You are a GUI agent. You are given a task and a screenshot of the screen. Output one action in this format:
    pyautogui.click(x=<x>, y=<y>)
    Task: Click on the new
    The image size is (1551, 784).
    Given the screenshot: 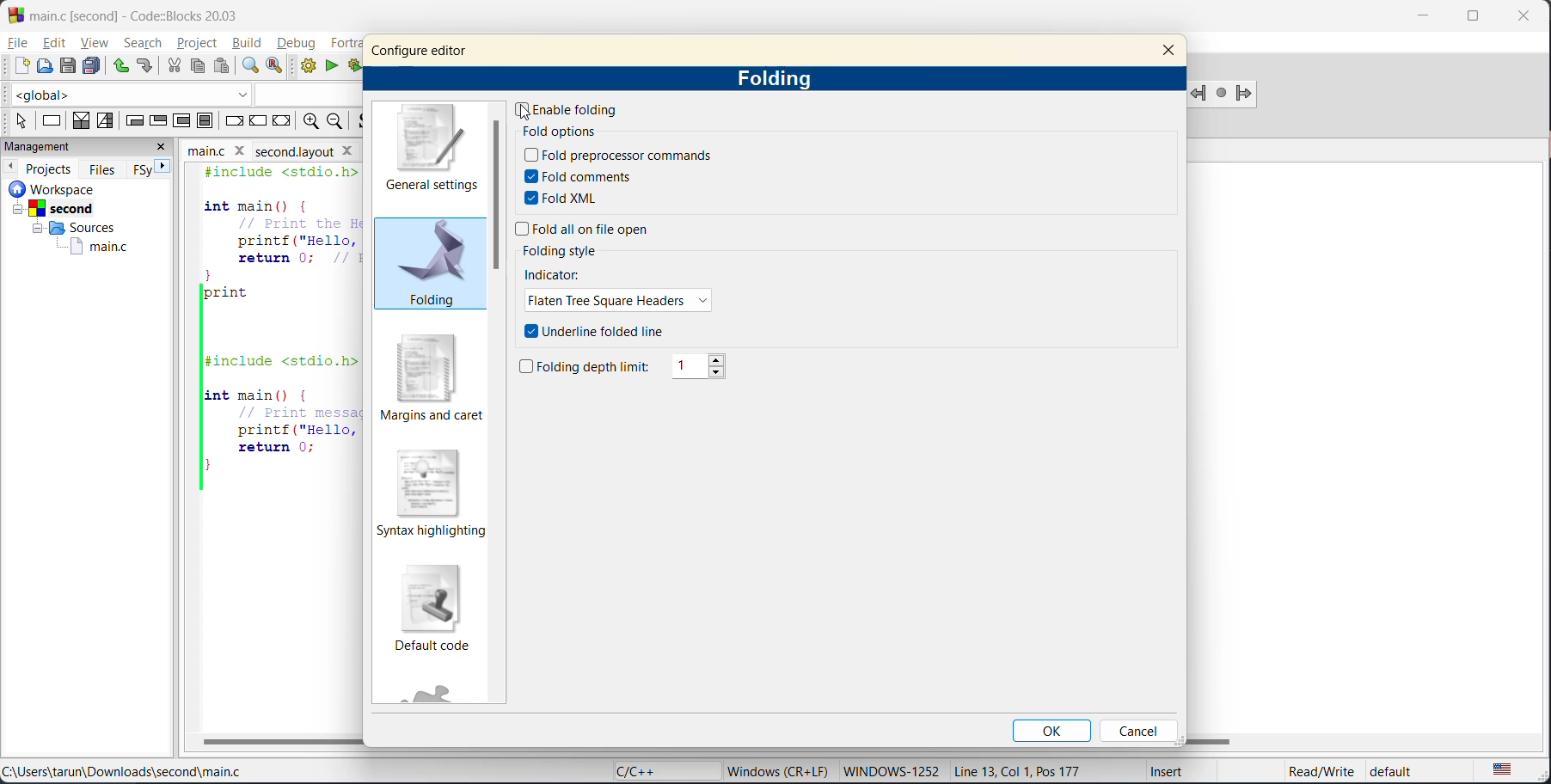 What is the action you would take?
    pyautogui.click(x=21, y=67)
    